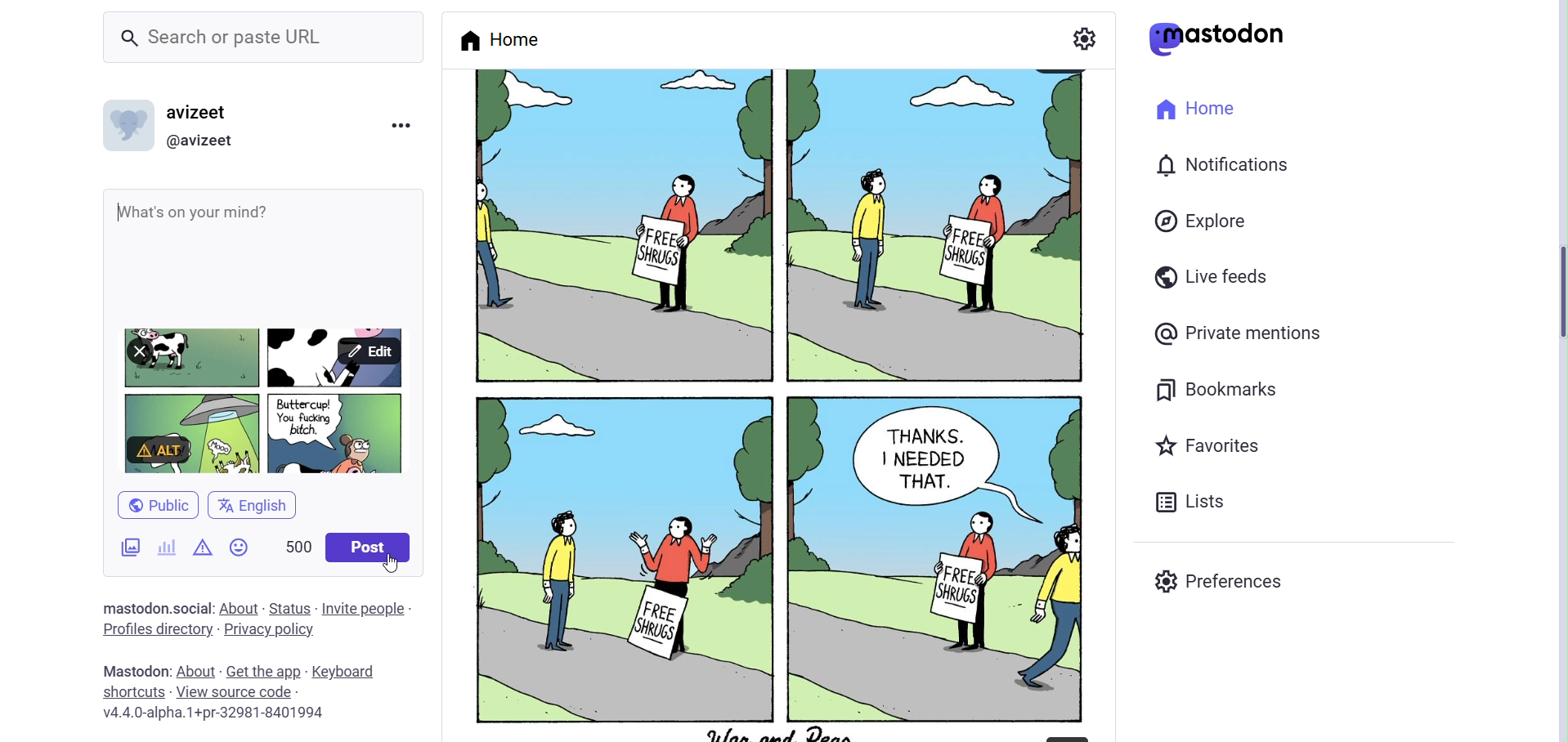  I want to click on language, so click(258, 506).